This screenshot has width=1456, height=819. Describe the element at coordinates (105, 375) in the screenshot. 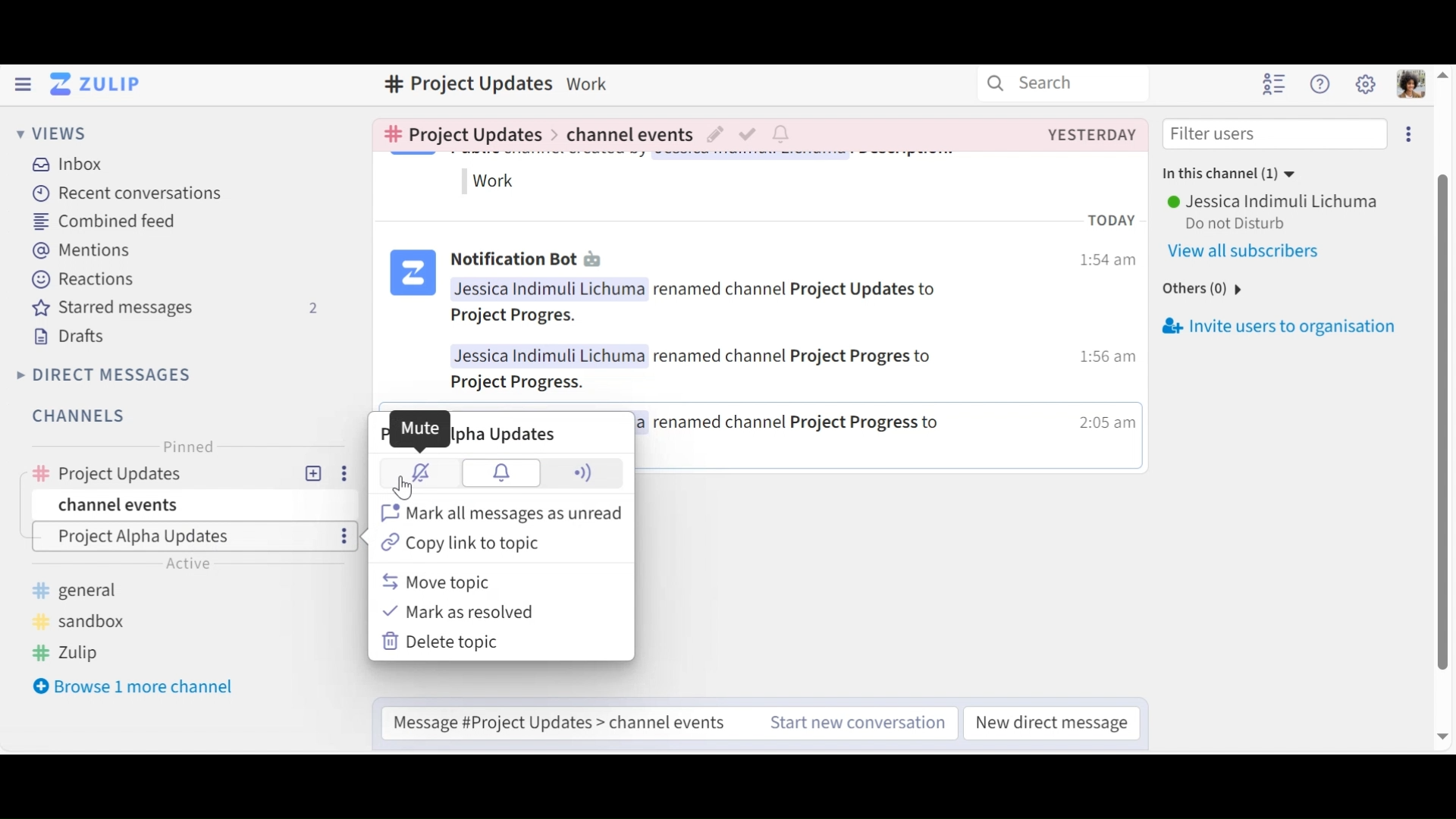

I see `Direct Messages` at that location.